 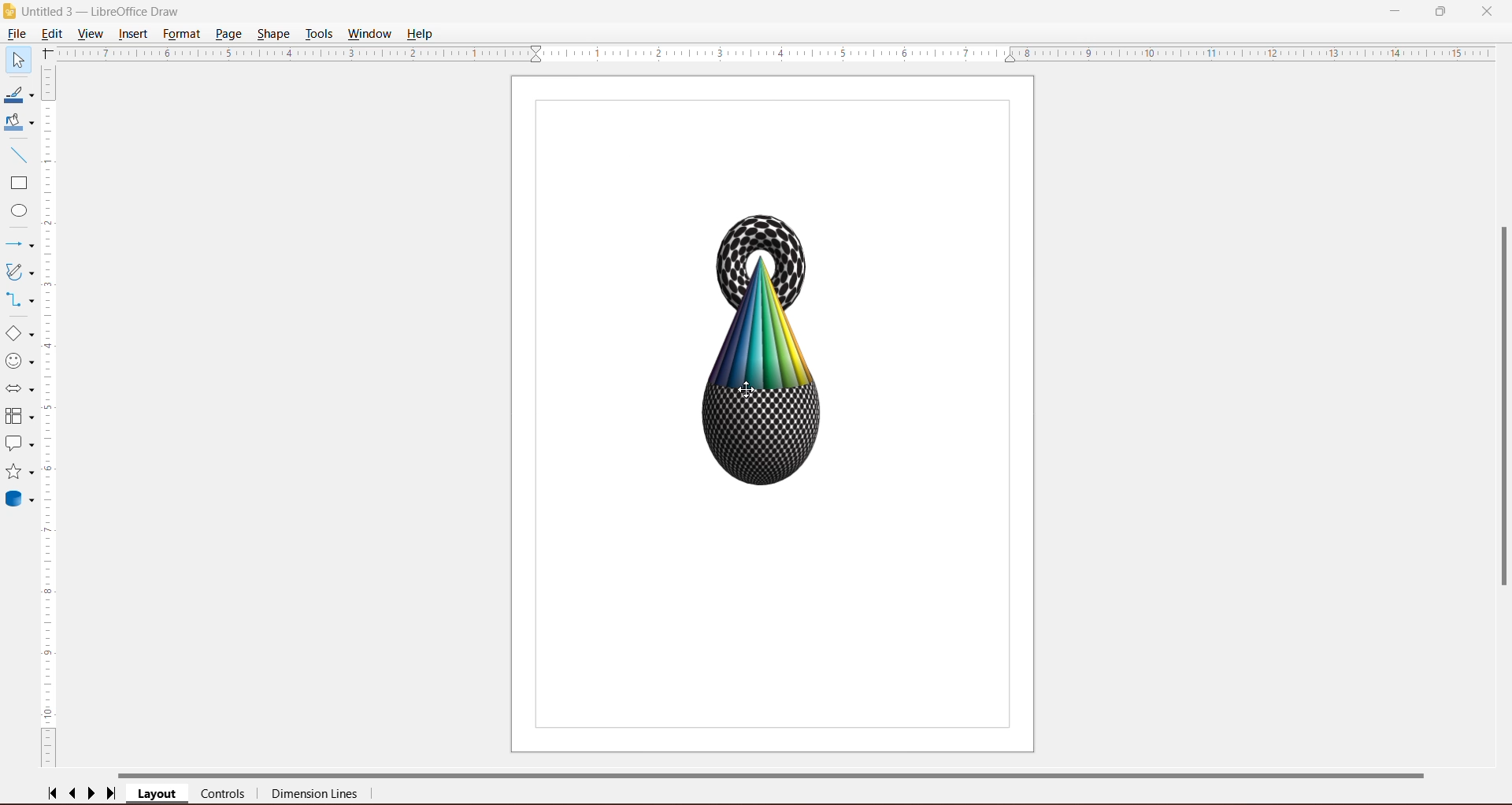 What do you see at coordinates (1443, 11) in the screenshot?
I see `Restore Down` at bounding box center [1443, 11].